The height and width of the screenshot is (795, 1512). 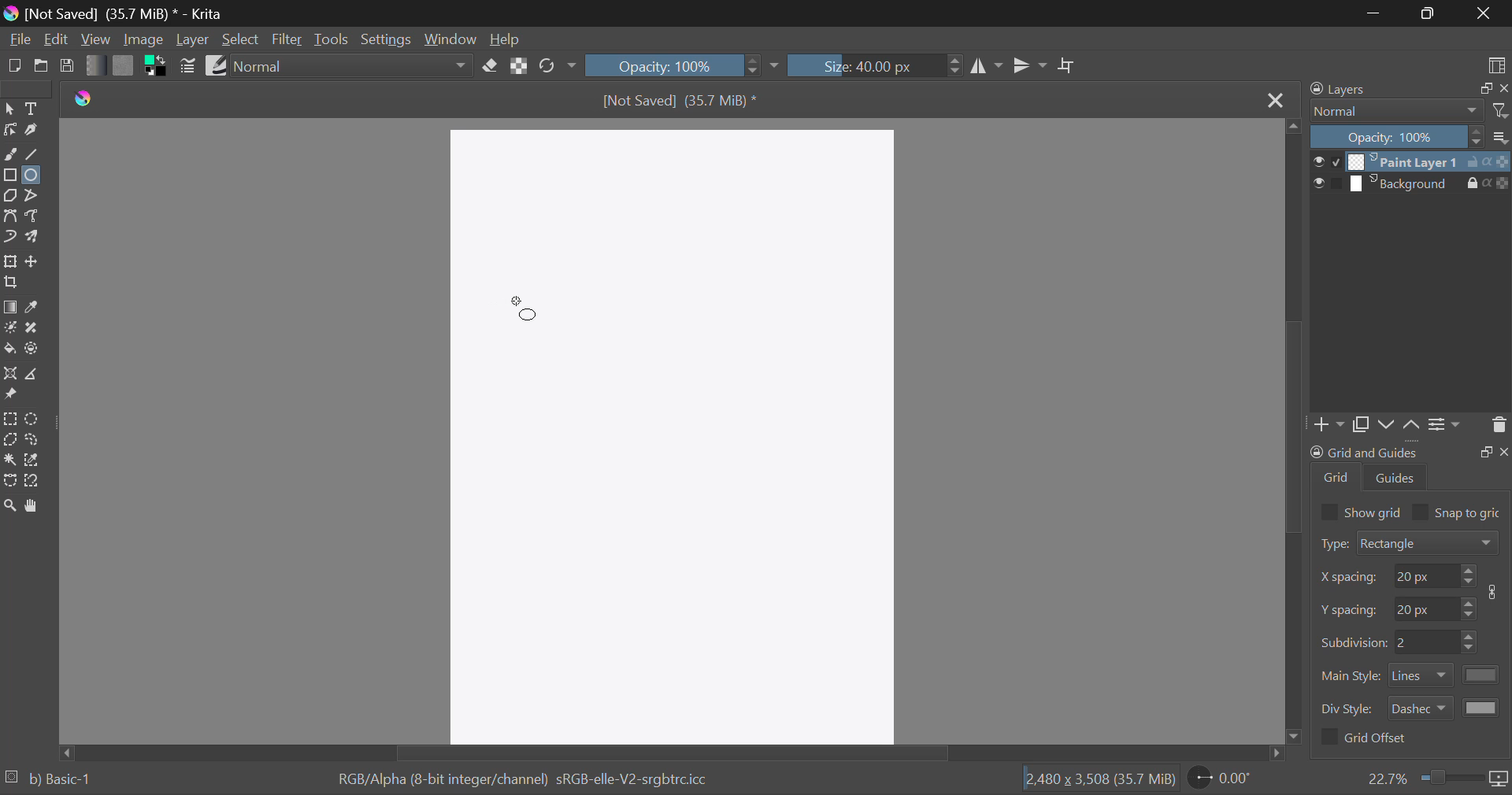 What do you see at coordinates (1431, 13) in the screenshot?
I see `Minimize` at bounding box center [1431, 13].